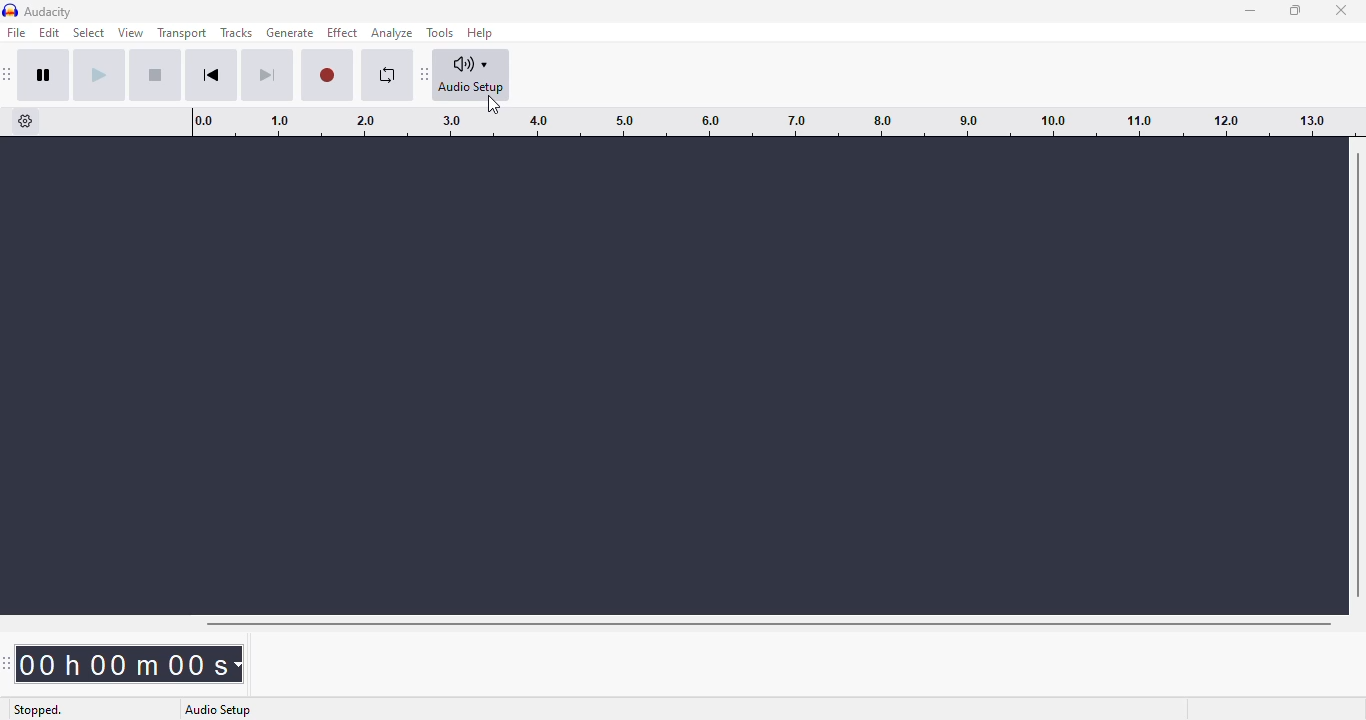 This screenshot has height=720, width=1366. I want to click on record, so click(327, 76).